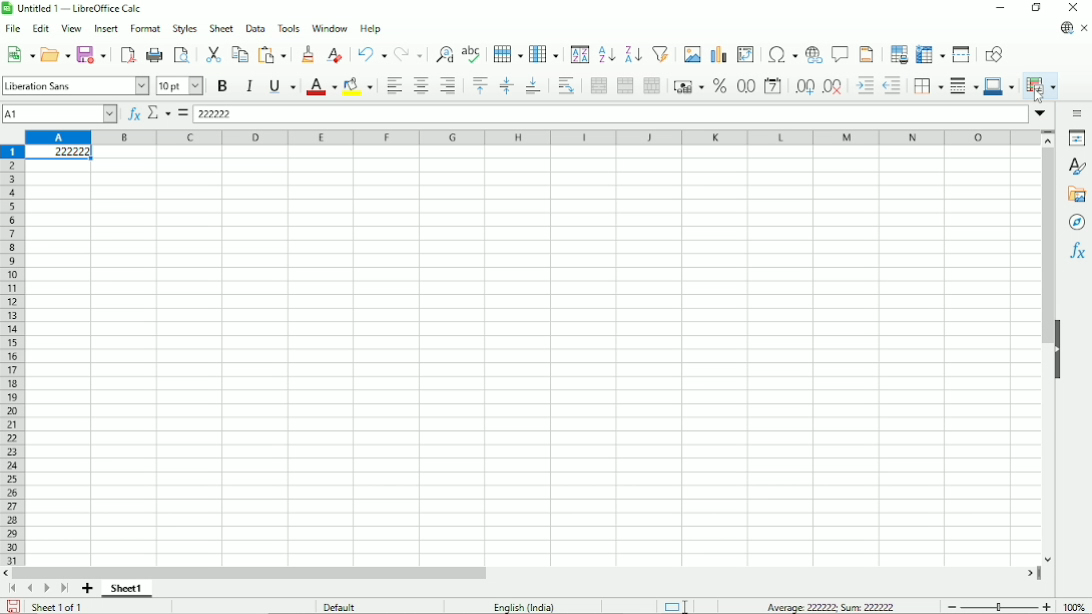 The width and height of the screenshot is (1092, 614). What do you see at coordinates (834, 87) in the screenshot?
I see `Delete decimal place` at bounding box center [834, 87].